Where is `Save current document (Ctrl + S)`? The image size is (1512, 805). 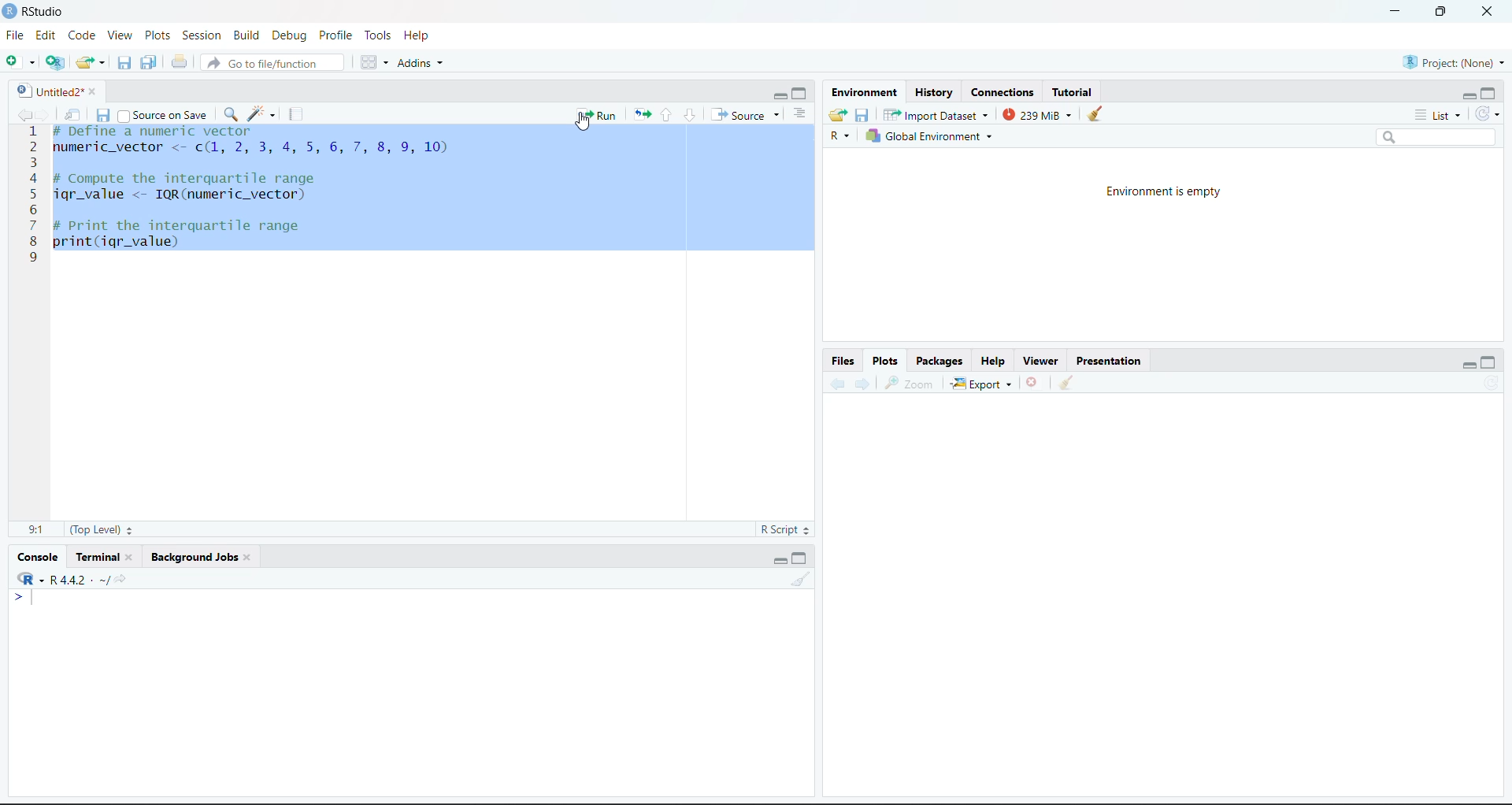
Save current document (Ctrl + S) is located at coordinates (124, 61).